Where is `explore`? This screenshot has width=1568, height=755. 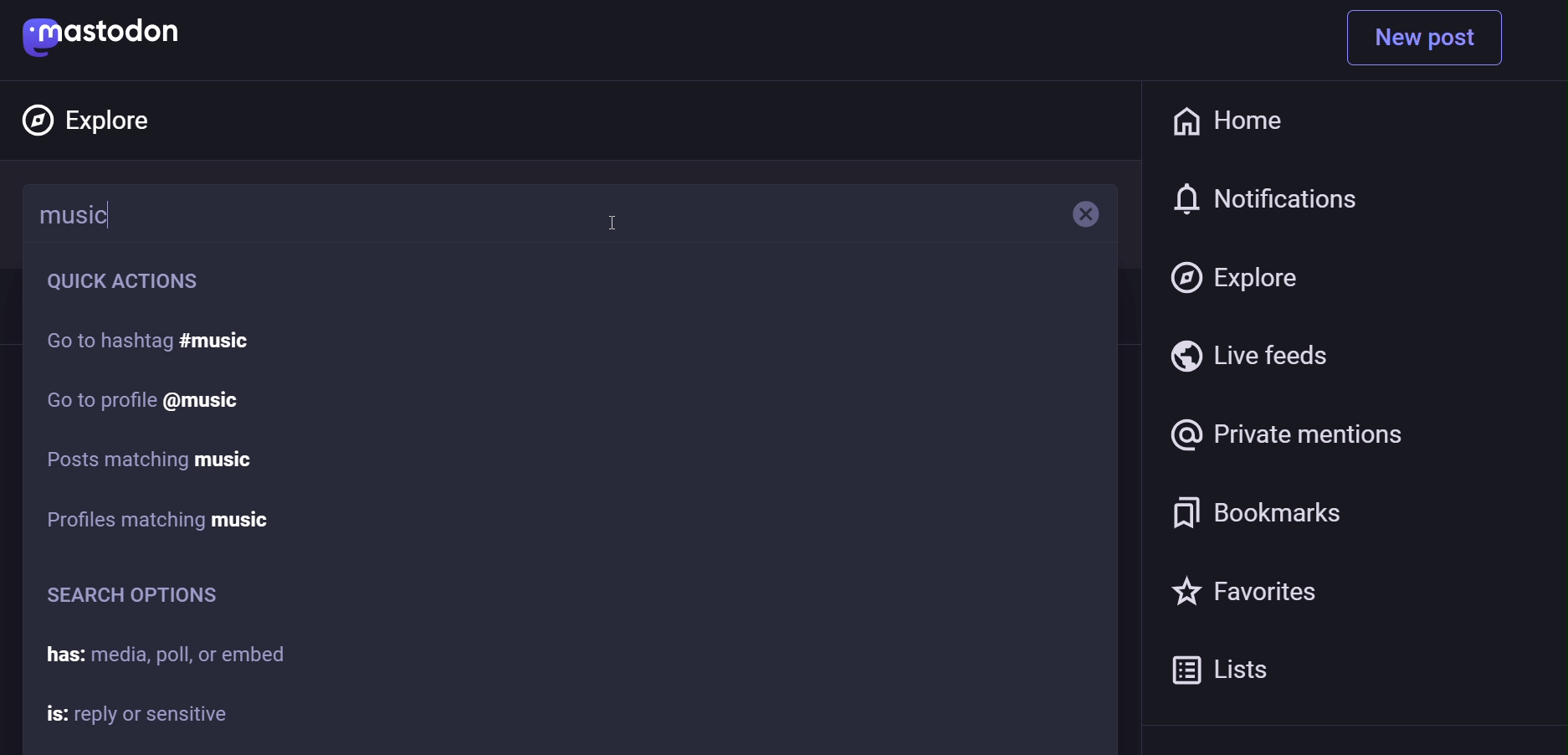
explore is located at coordinates (80, 118).